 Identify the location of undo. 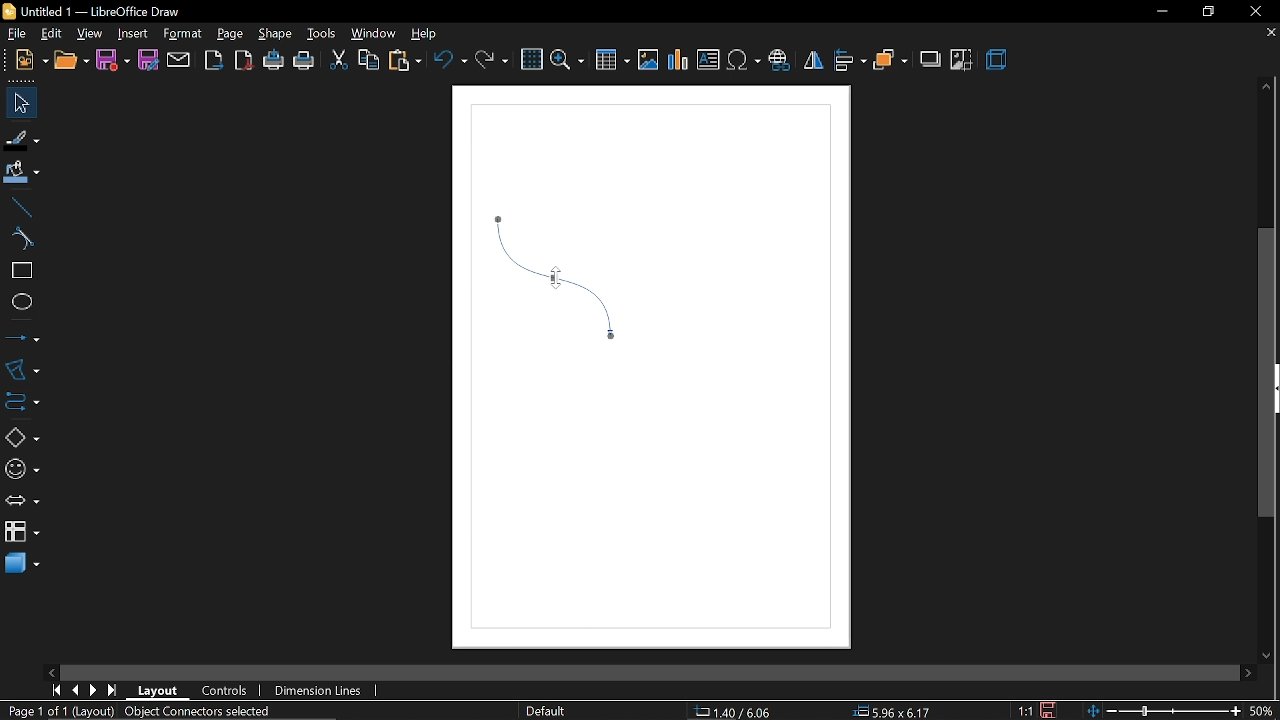
(450, 61).